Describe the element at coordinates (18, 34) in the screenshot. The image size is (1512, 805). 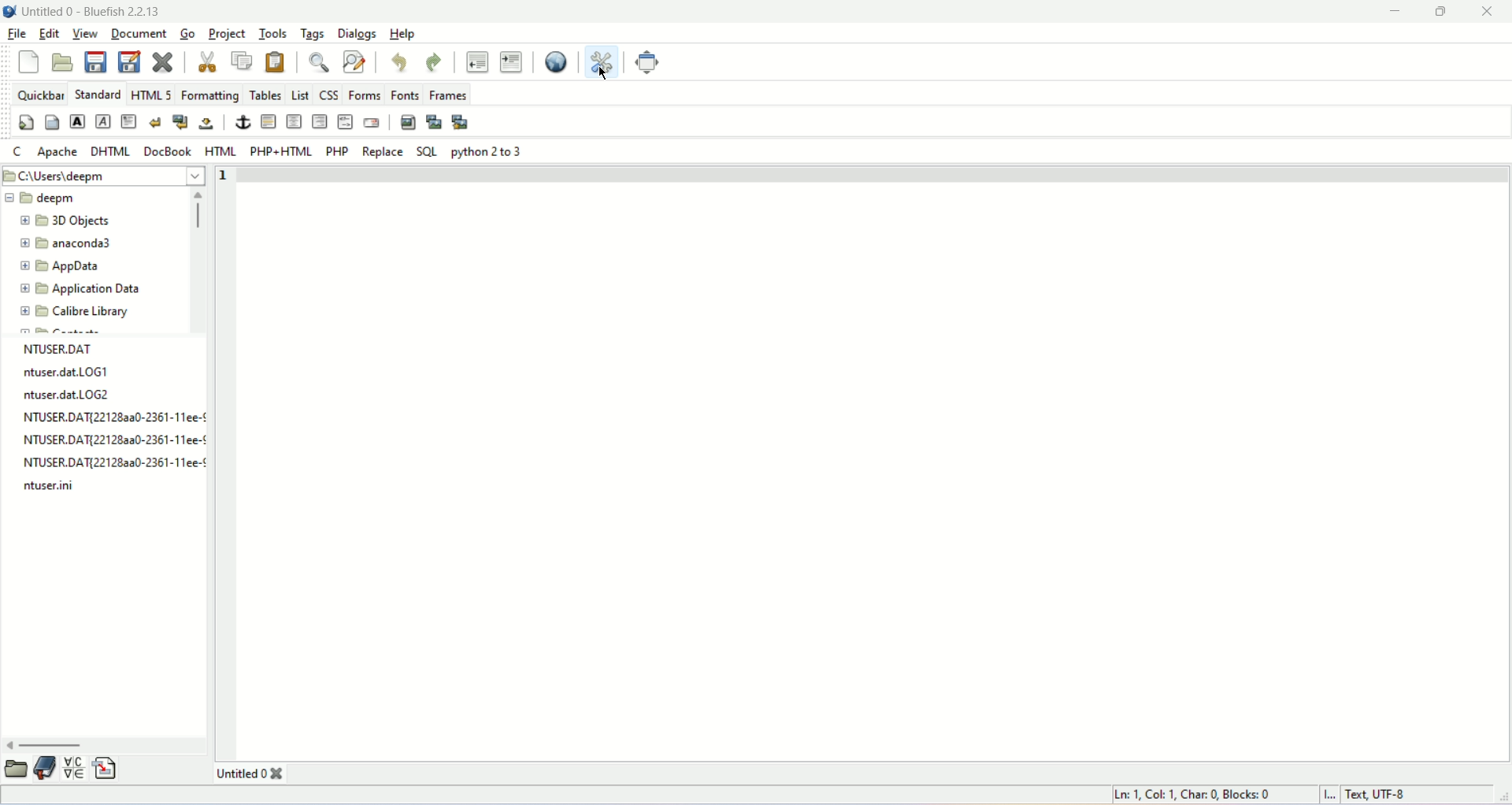
I see `file` at that location.